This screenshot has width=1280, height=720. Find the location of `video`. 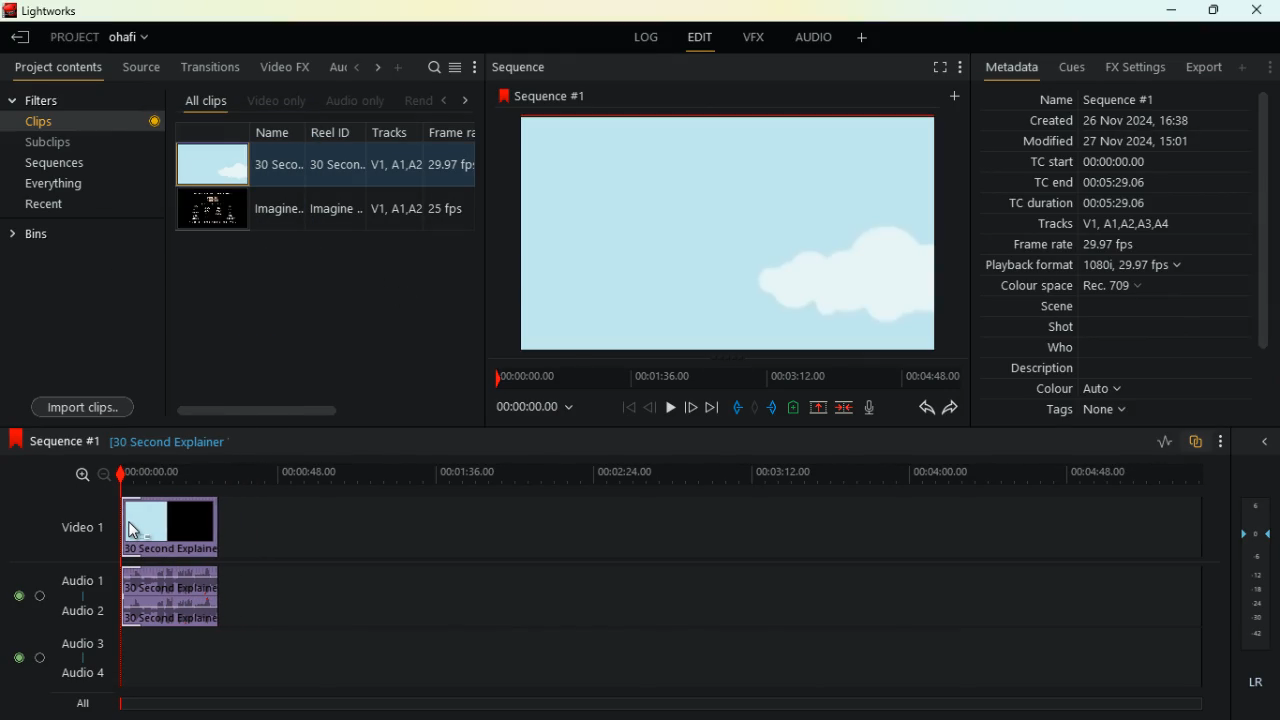

video is located at coordinates (171, 525).